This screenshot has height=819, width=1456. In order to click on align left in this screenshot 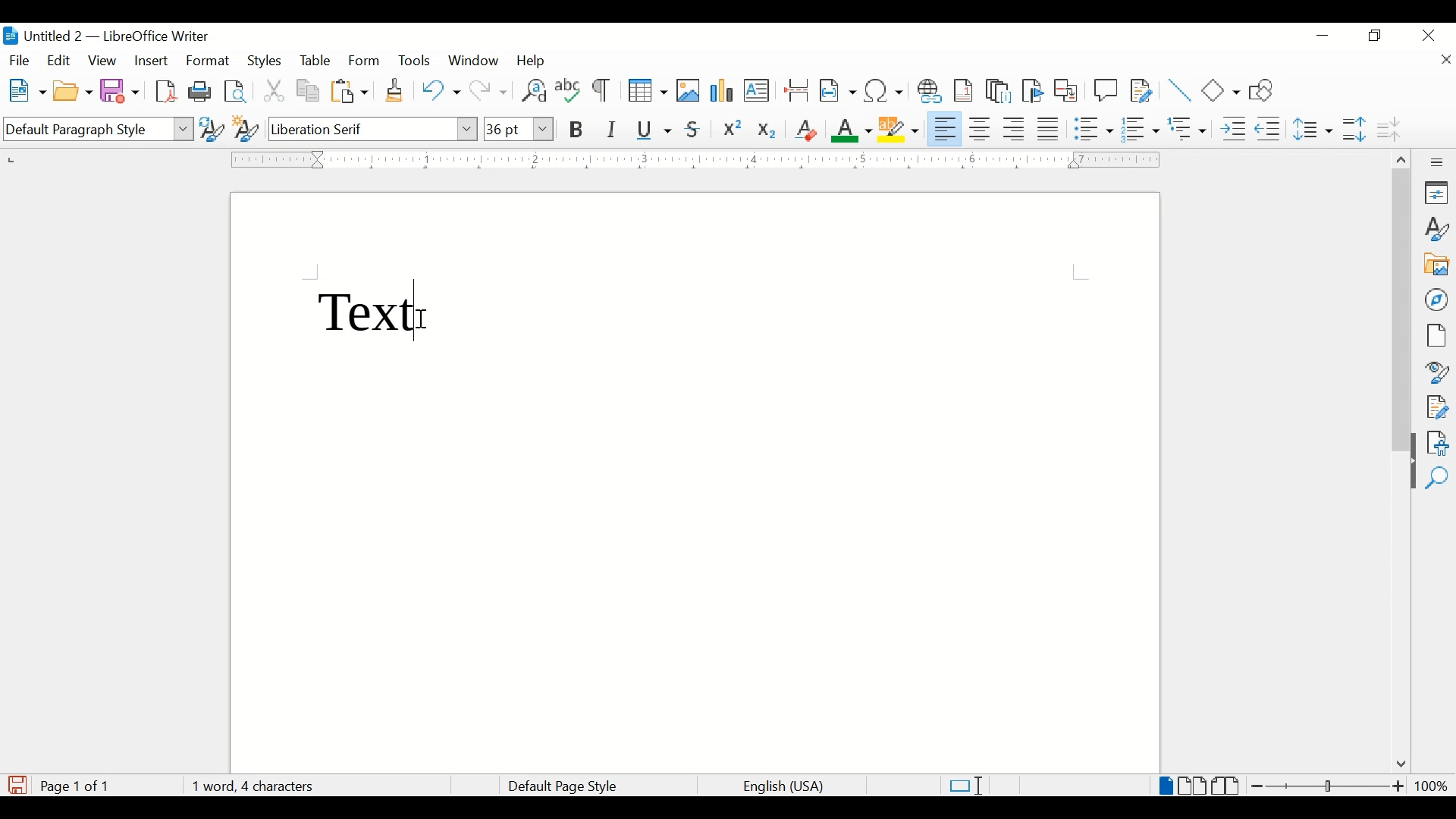, I will do `click(946, 127)`.